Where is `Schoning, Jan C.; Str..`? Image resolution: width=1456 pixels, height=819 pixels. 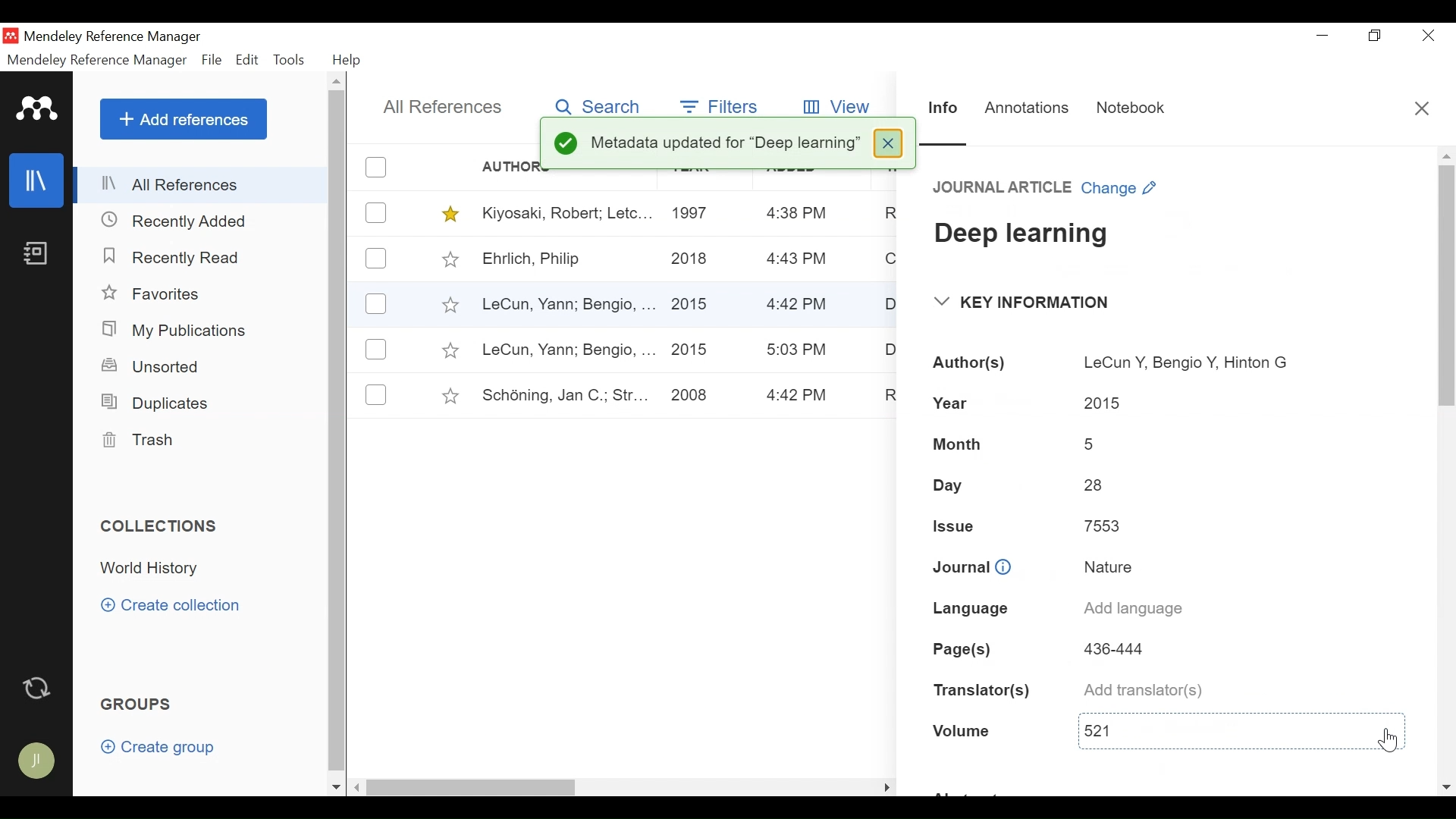
Schoning, Jan C.; Str.. is located at coordinates (560, 393).